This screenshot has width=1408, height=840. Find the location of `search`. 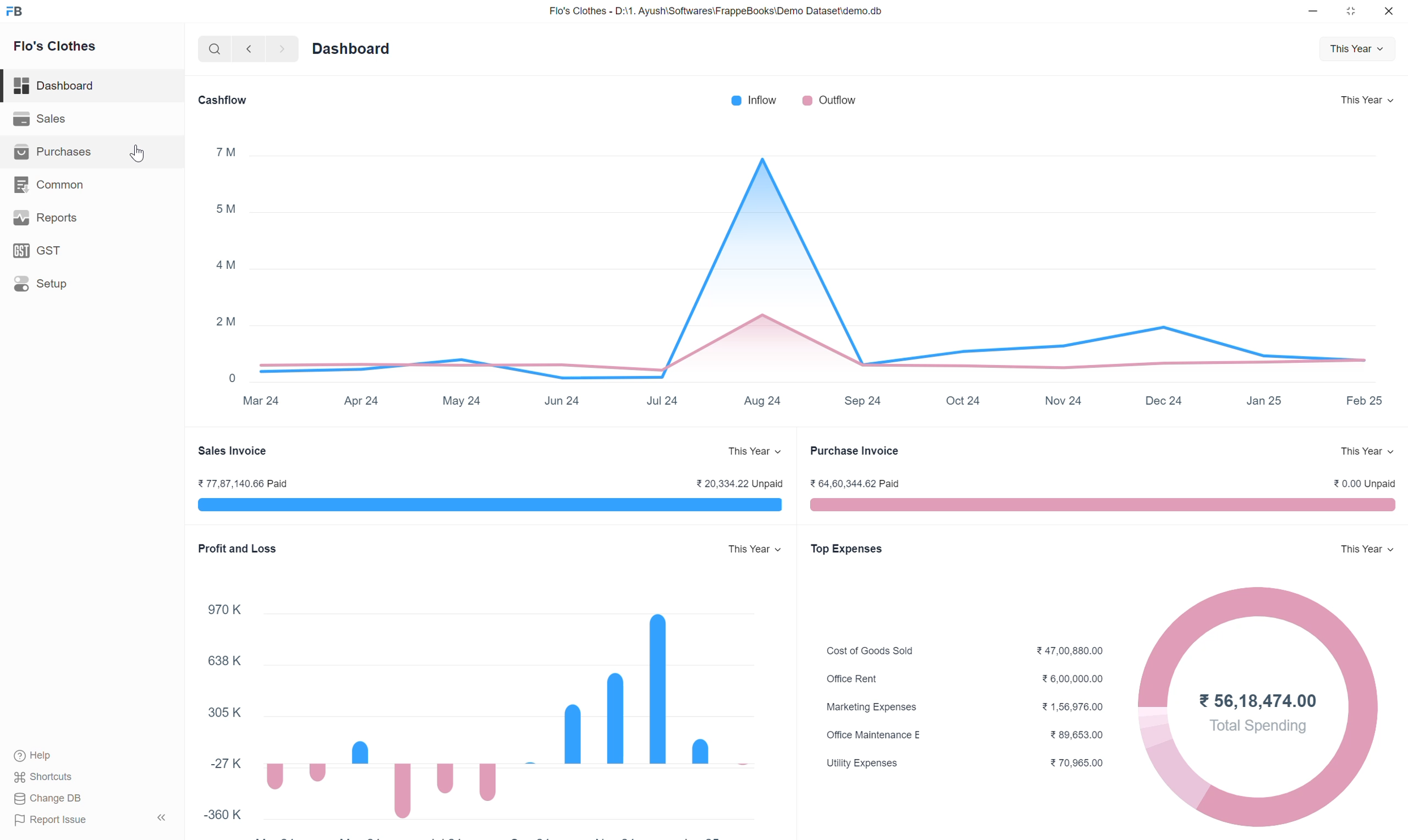

search is located at coordinates (212, 49).